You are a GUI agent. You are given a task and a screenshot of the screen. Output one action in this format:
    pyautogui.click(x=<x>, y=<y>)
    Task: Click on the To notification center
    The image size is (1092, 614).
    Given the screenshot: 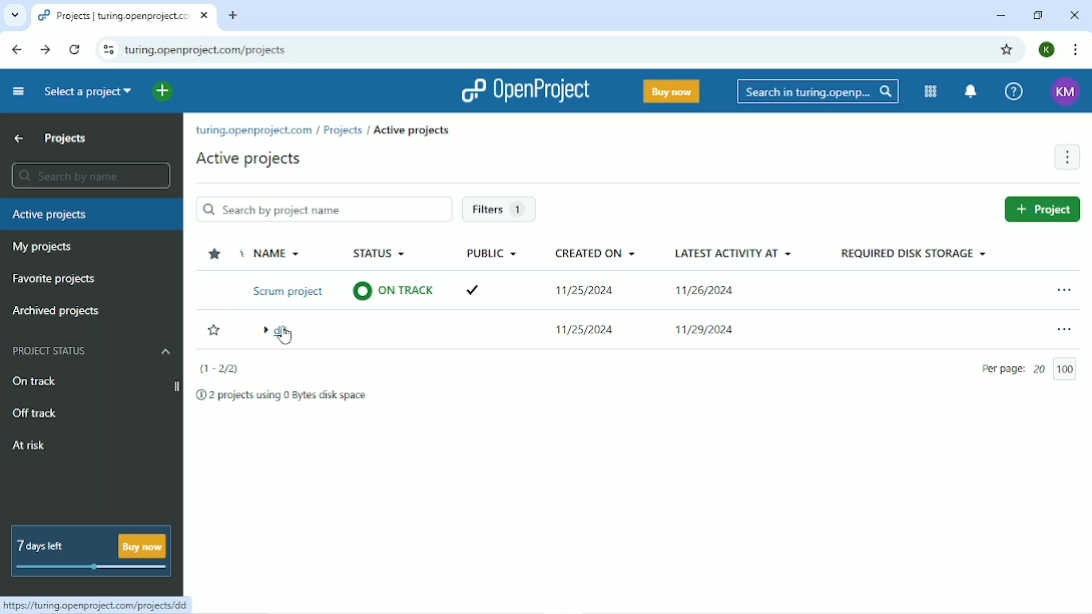 What is the action you would take?
    pyautogui.click(x=972, y=91)
    